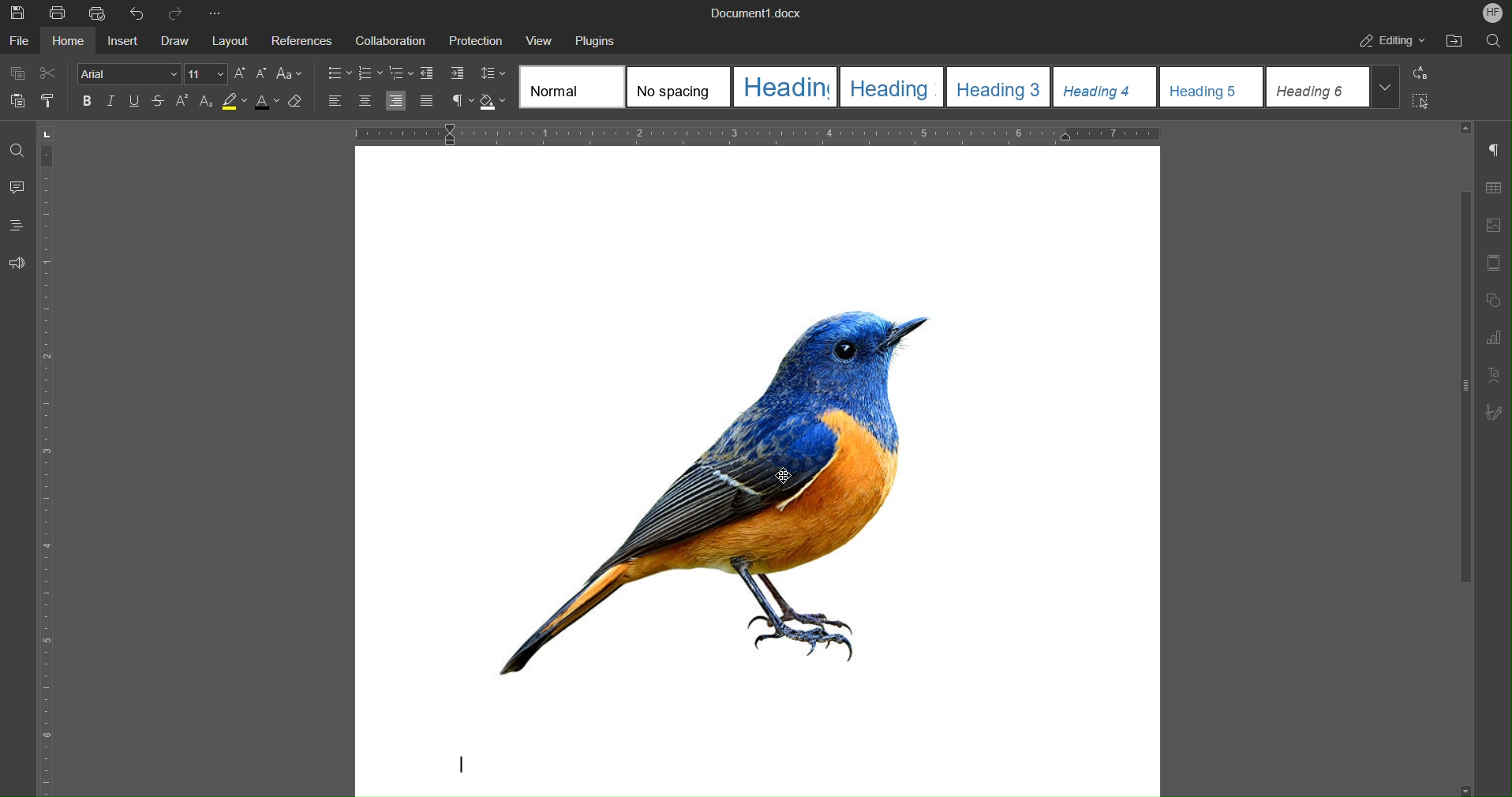  I want to click on Text Art, so click(1493, 374).